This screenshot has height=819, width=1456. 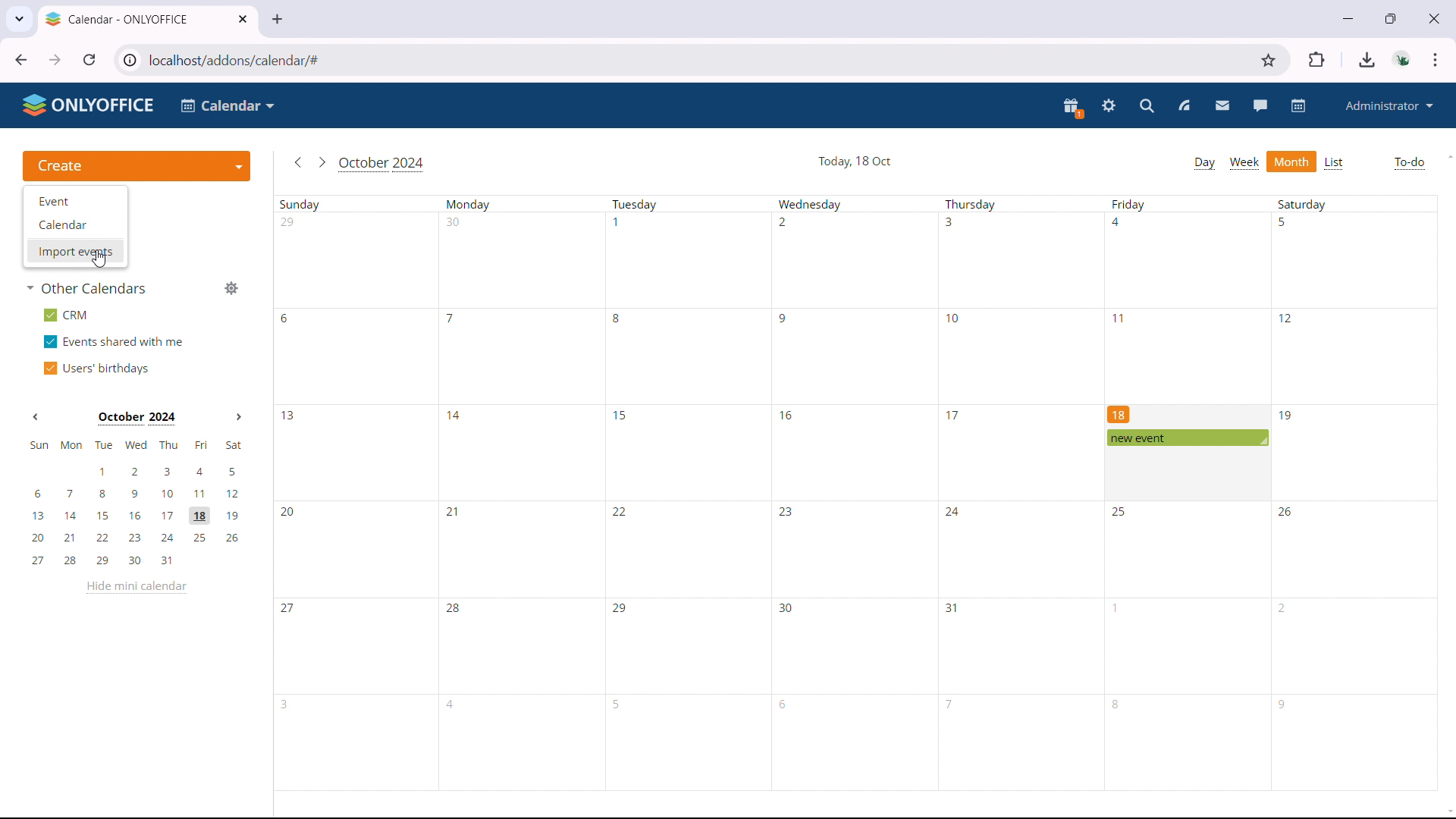 What do you see at coordinates (1122, 512) in the screenshot?
I see `25` at bounding box center [1122, 512].